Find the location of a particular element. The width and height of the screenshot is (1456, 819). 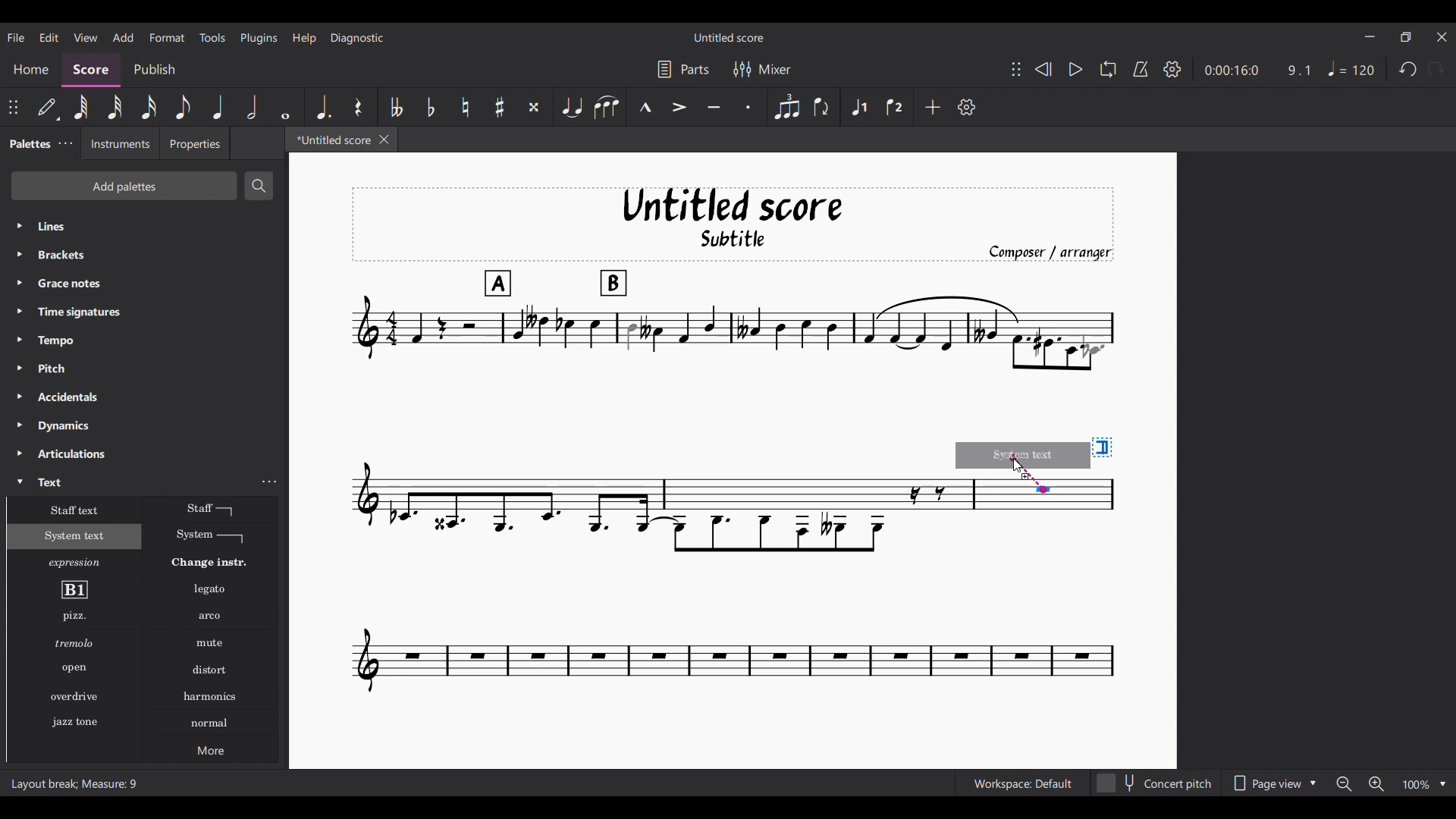

Articulations is located at coordinates (145, 453).